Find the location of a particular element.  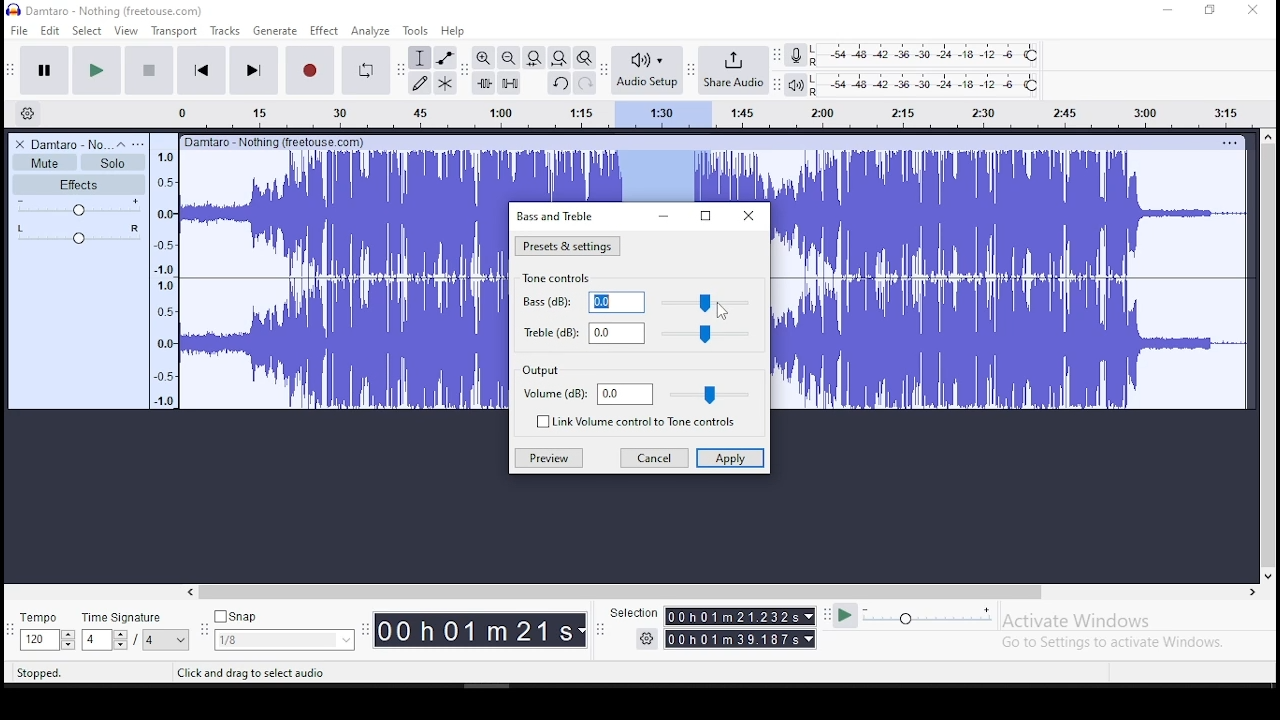

control is located at coordinates (707, 303).